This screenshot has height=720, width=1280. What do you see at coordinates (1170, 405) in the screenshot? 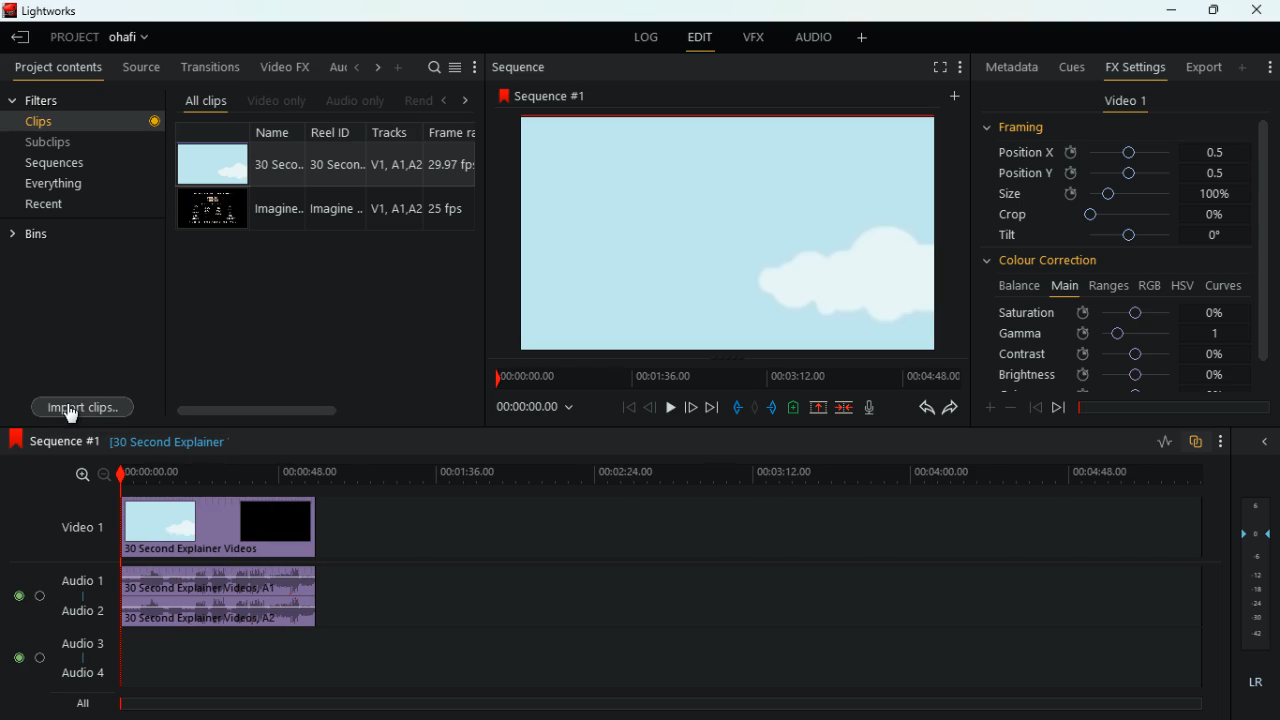
I see `timeline` at bounding box center [1170, 405].